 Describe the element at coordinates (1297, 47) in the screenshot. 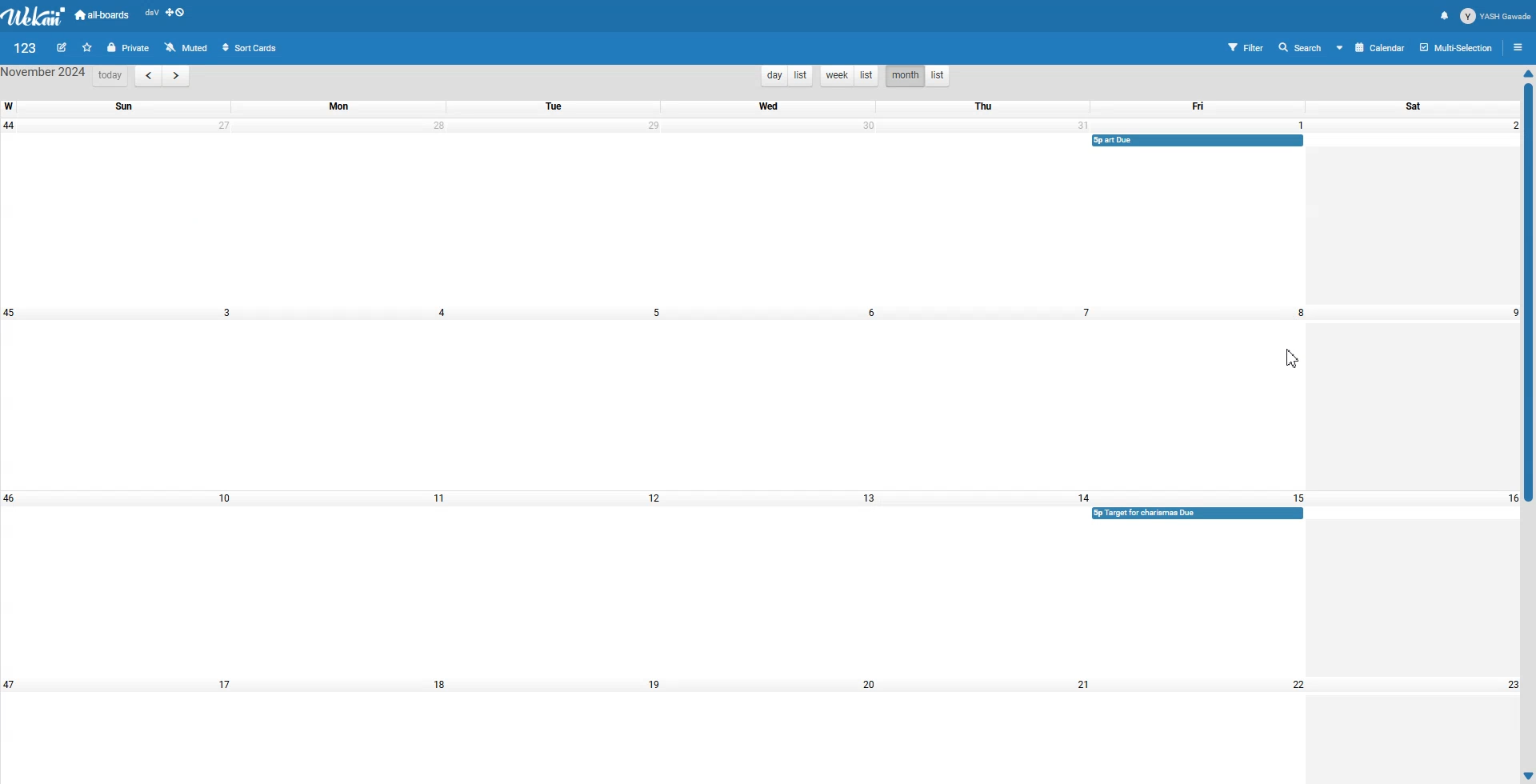

I see `Search` at that location.